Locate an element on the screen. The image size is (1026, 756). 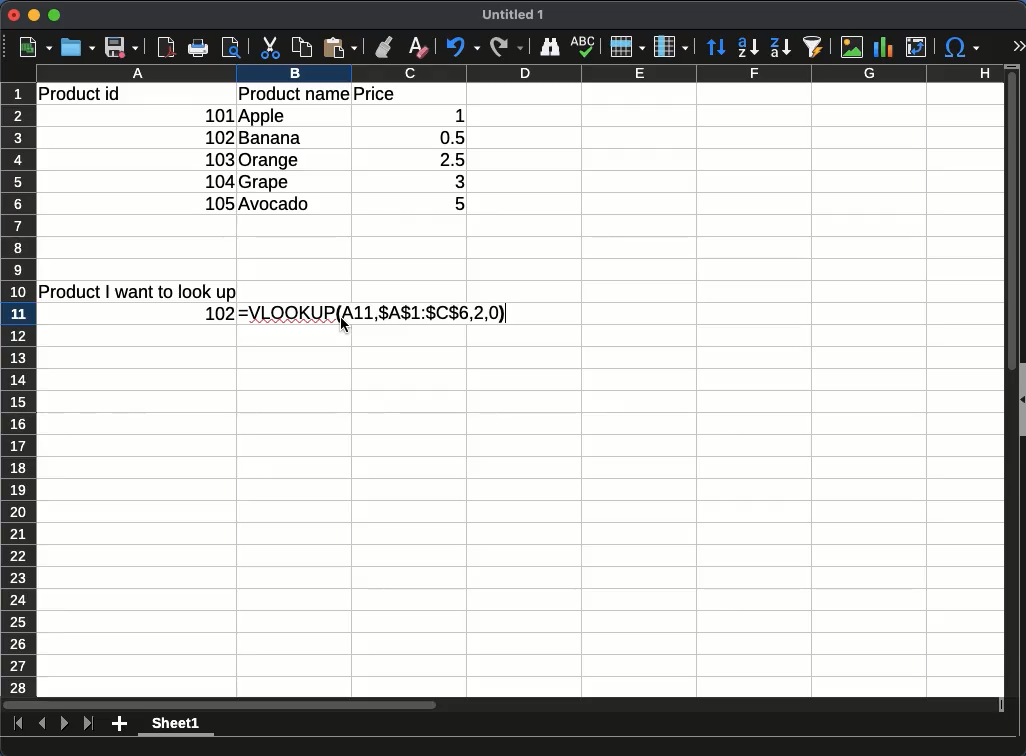
product id is located at coordinates (79, 94).